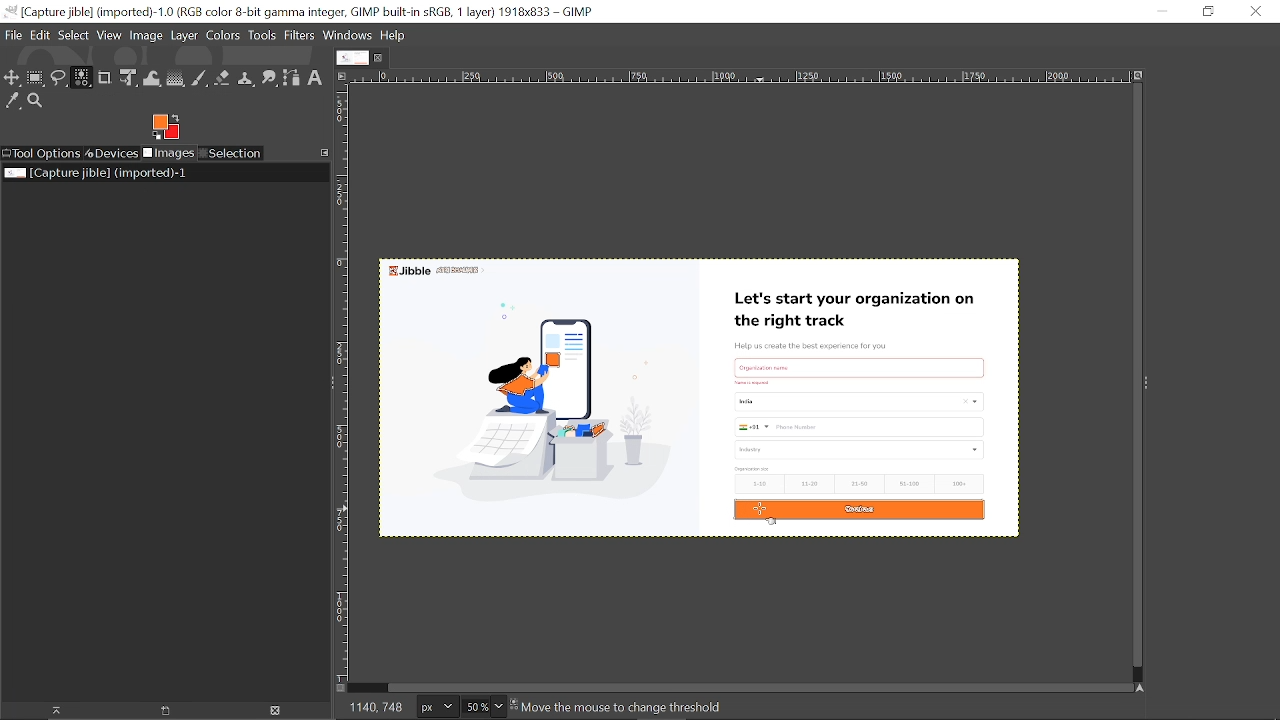 This screenshot has width=1280, height=720. What do you see at coordinates (302, 12) in the screenshot?
I see `Current window` at bounding box center [302, 12].